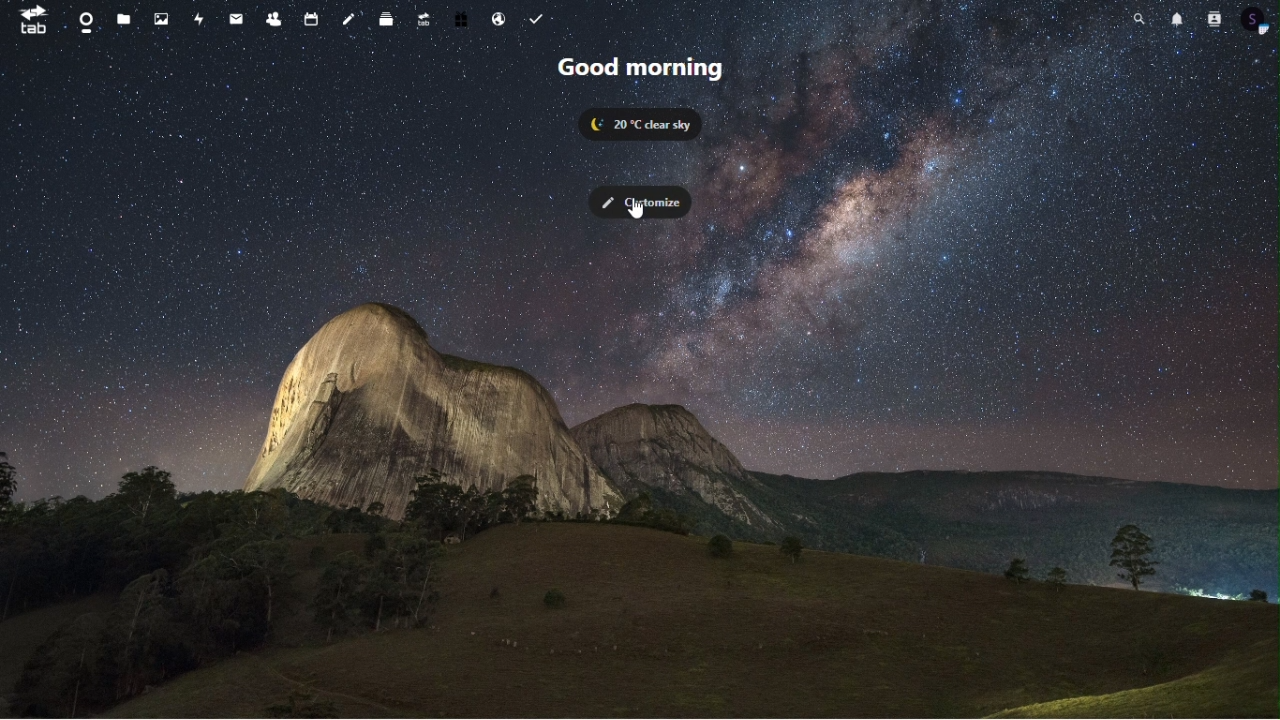 This screenshot has height=720, width=1280. I want to click on cursor, so click(636, 209).